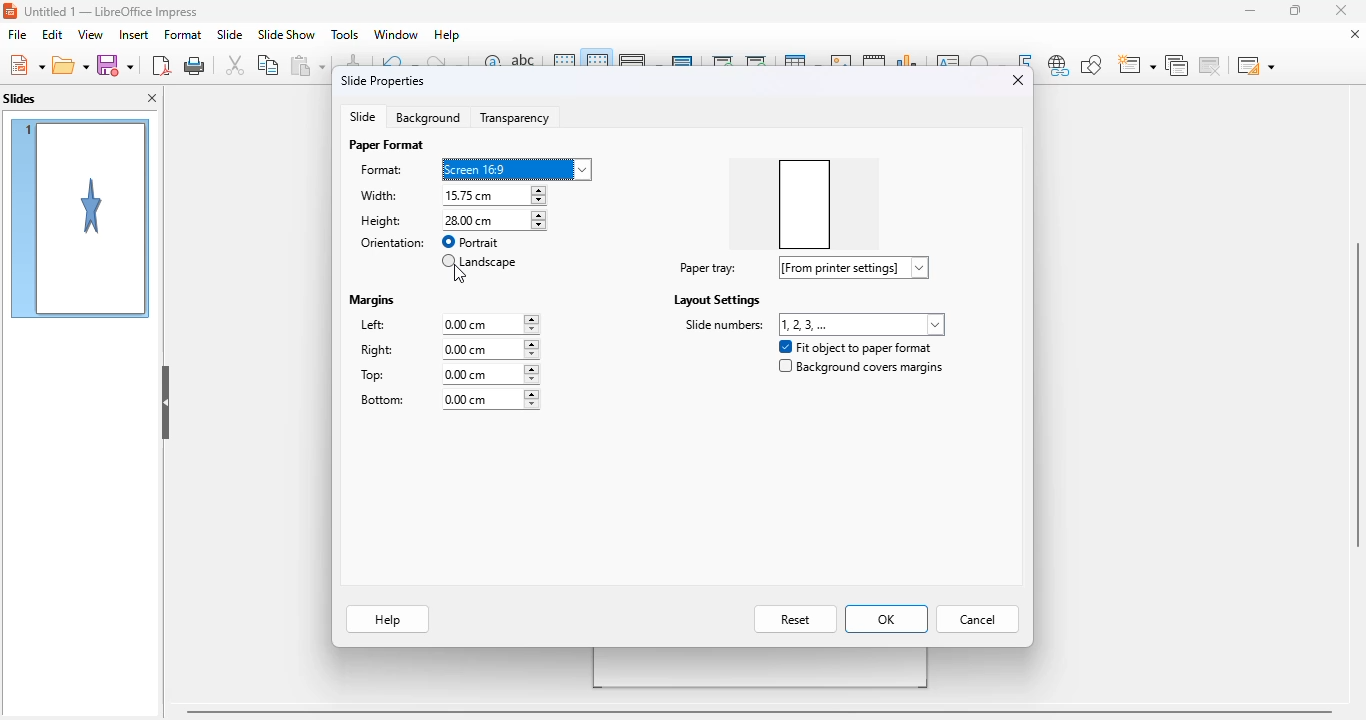  I want to click on slide show, so click(286, 34).